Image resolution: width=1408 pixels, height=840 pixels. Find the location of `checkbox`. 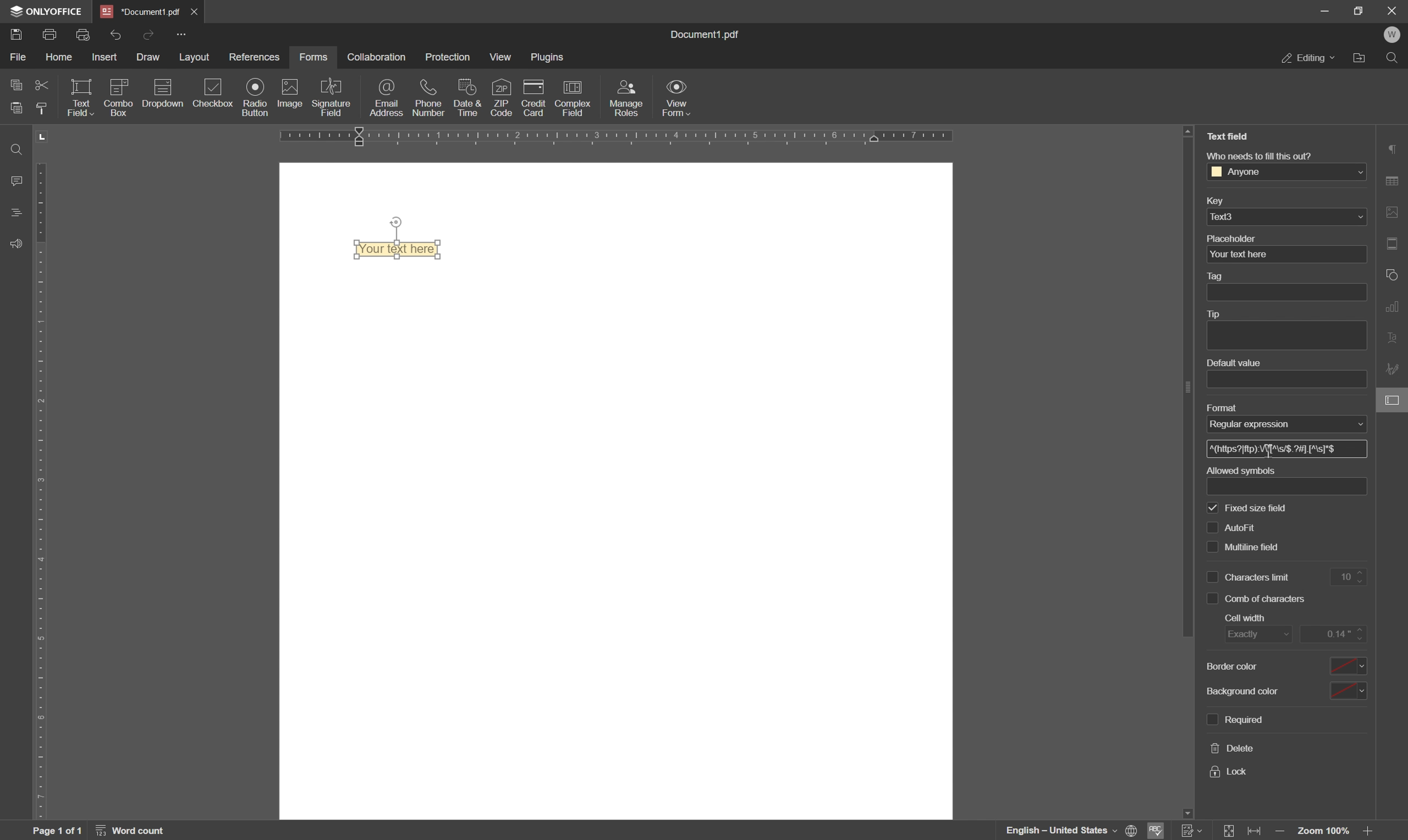

checkbox is located at coordinates (1212, 575).